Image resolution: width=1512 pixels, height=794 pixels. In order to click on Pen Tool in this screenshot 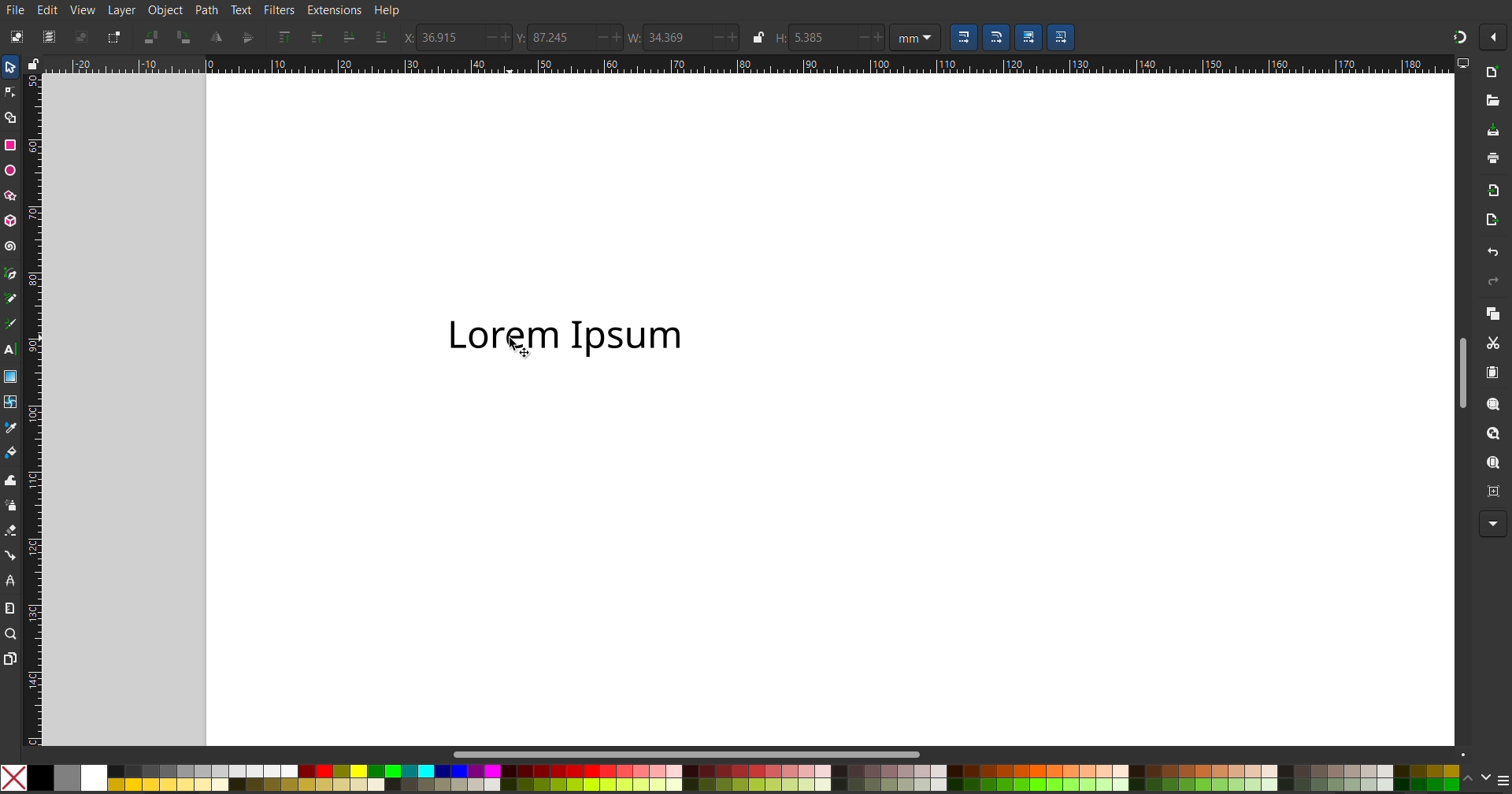, I will do `click(13, 275)`.